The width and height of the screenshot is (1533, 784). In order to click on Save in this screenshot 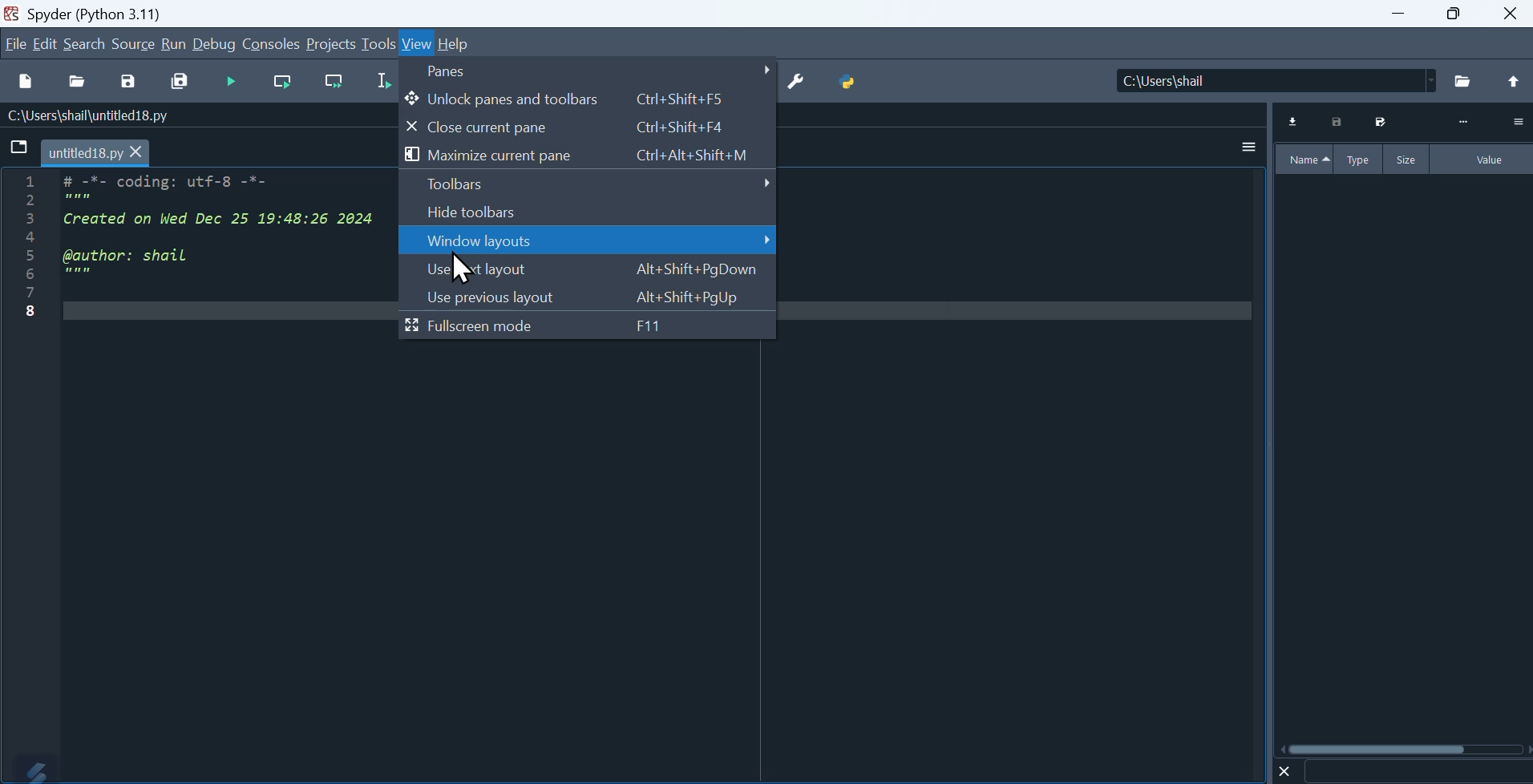, I will do `click(1378, 122)`.